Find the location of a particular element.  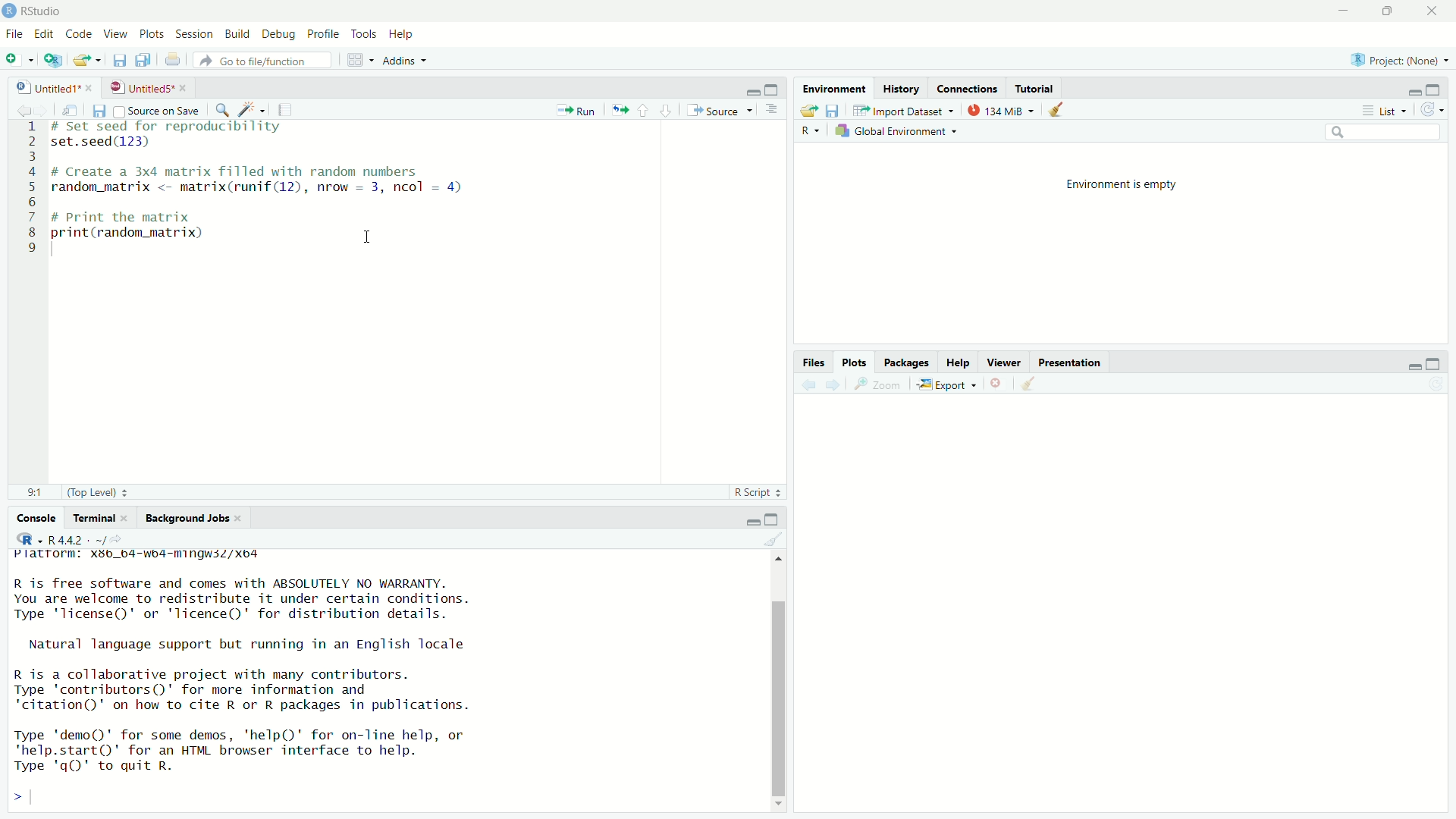

clear is located at coordinates (1057, 111).